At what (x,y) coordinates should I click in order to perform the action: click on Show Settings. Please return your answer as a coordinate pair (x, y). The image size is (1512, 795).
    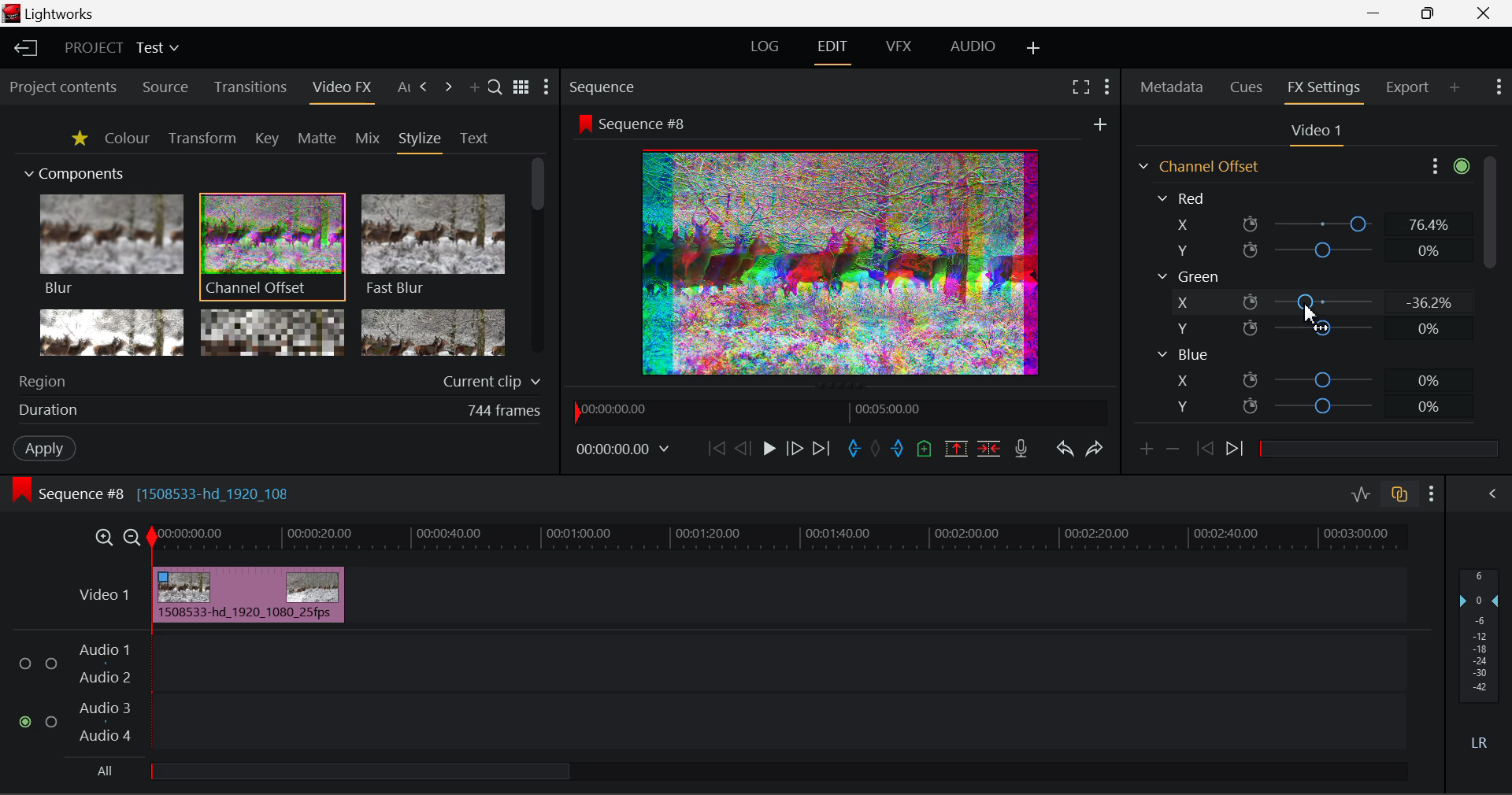
    Looking at the image, I should click on (548, 87).